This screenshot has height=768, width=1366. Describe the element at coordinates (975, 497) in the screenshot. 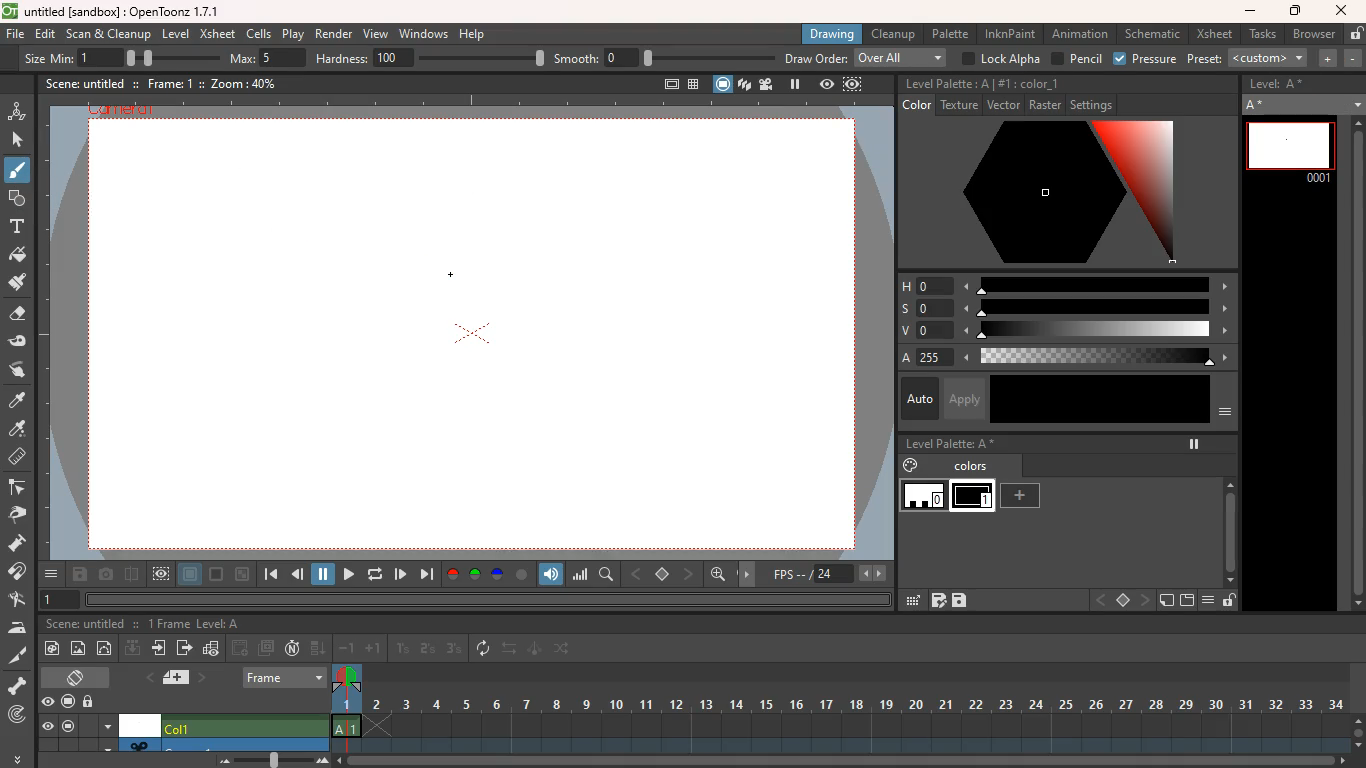

I see `level` at that location.